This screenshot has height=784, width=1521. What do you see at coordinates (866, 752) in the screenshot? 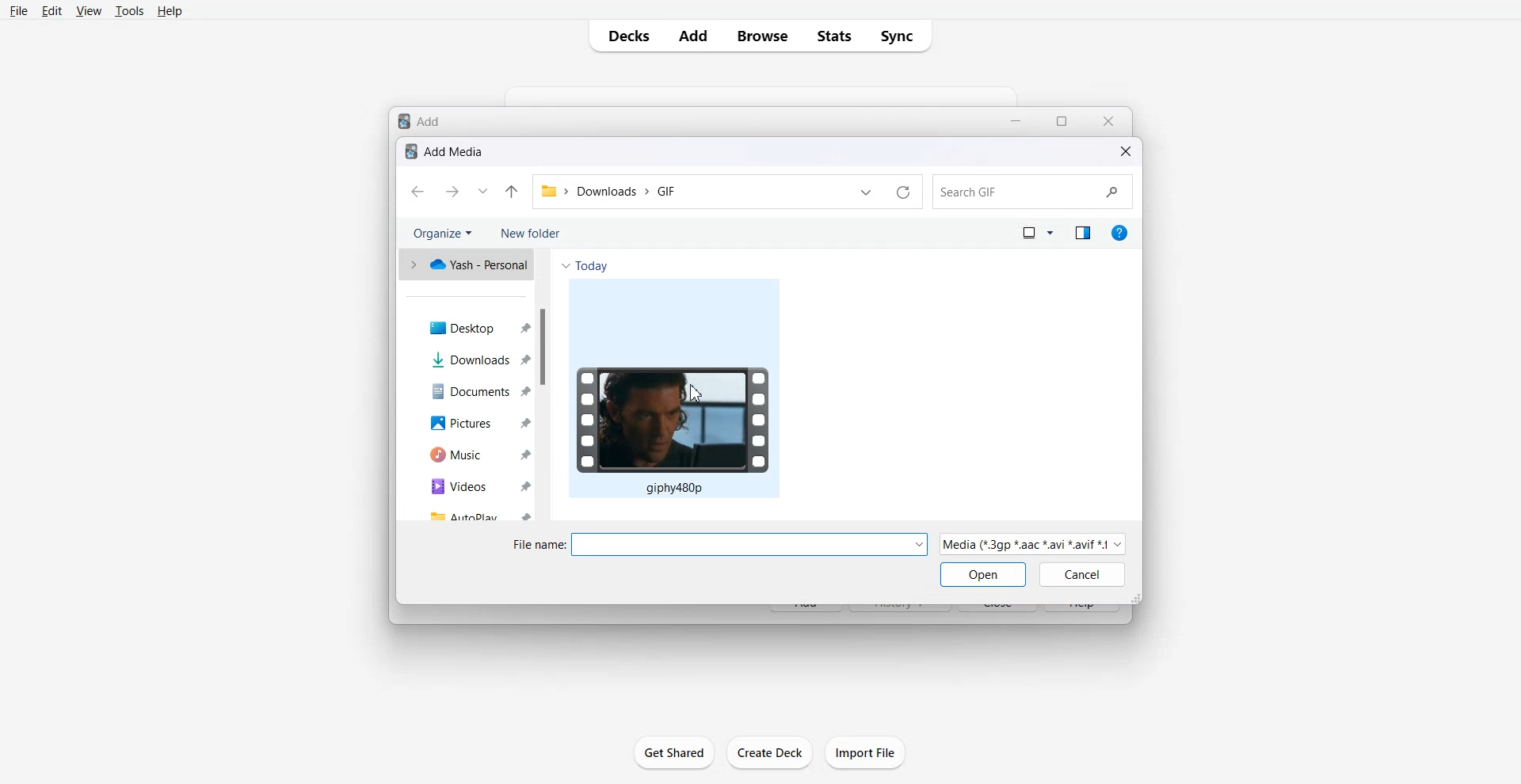
I see `Import File` at bounding box center [866, 752].